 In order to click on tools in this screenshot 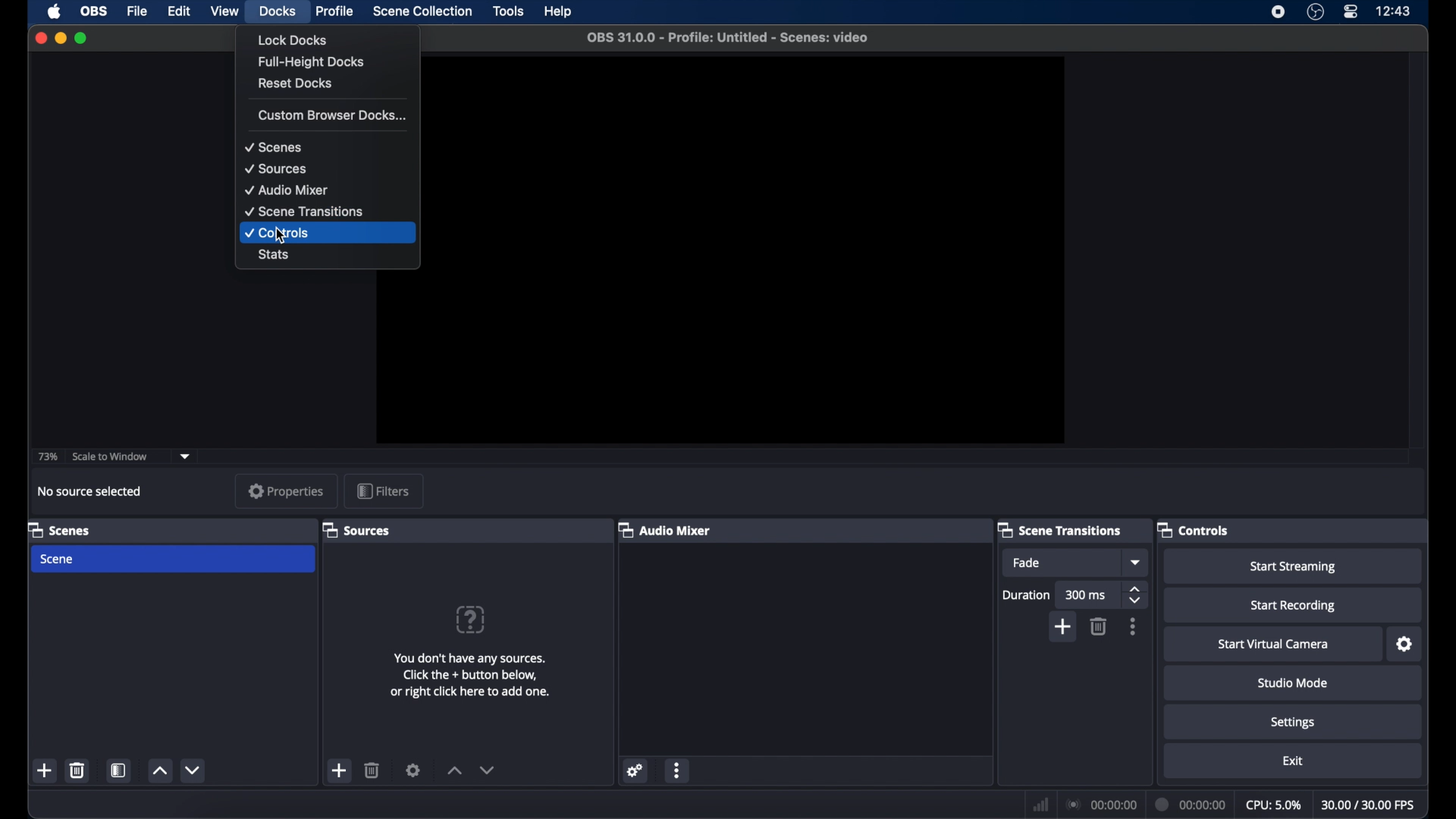, I will do `click(509, 11)`.